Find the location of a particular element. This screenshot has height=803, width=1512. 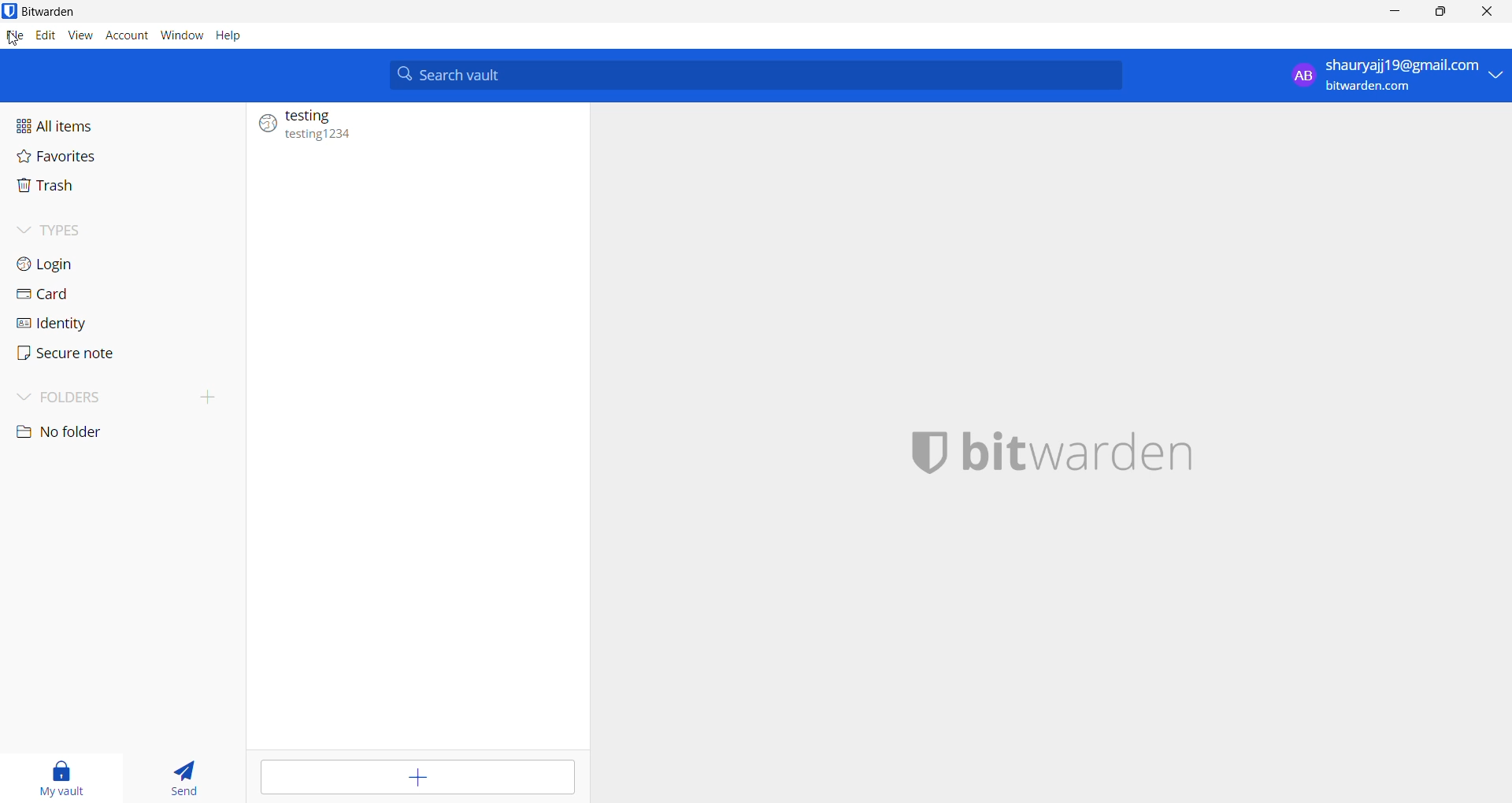

name and logo is located at coordinates (1056, 460).